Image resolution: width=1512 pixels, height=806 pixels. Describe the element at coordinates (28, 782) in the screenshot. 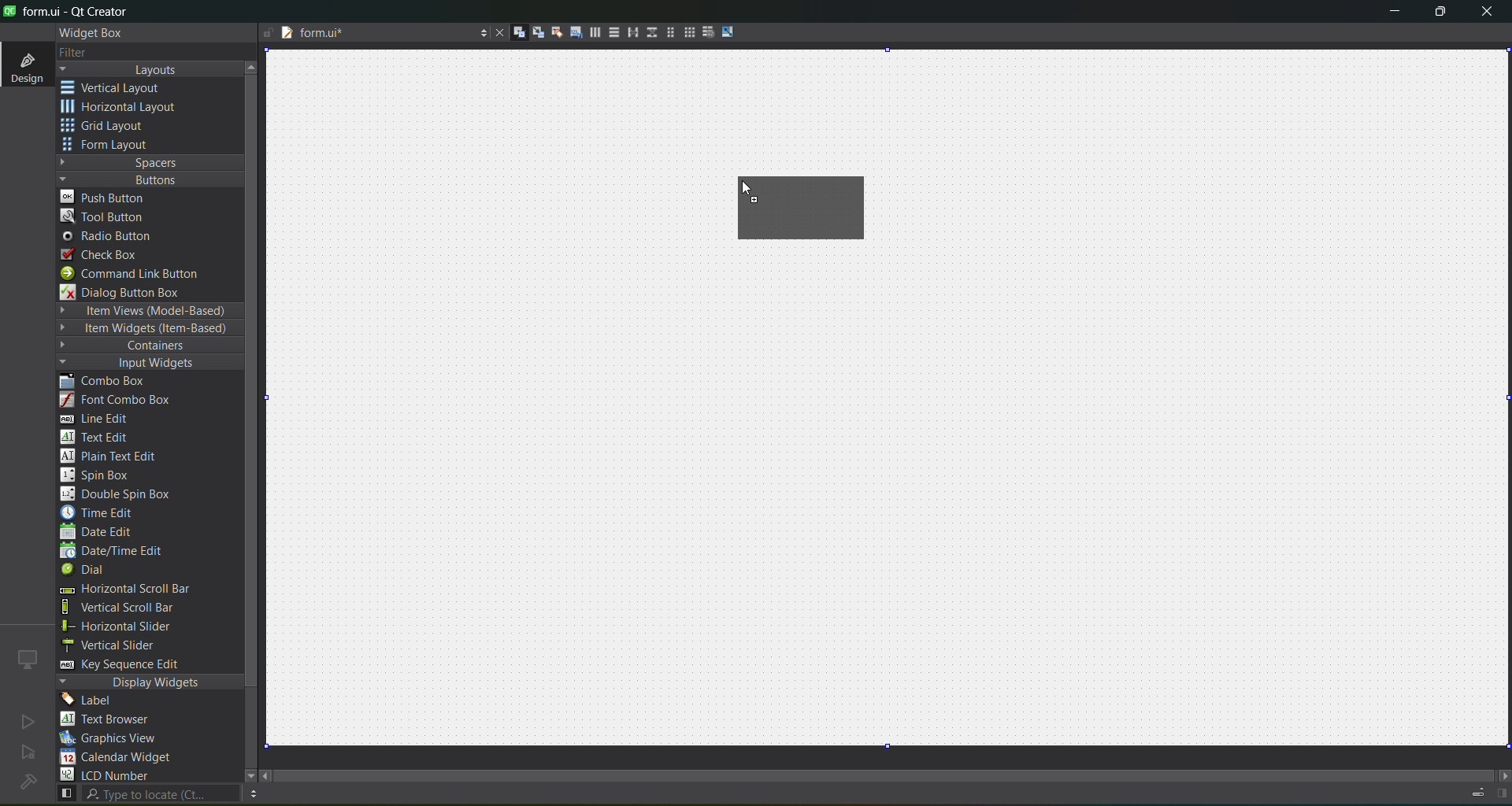

I see `no project loaded` at that location.